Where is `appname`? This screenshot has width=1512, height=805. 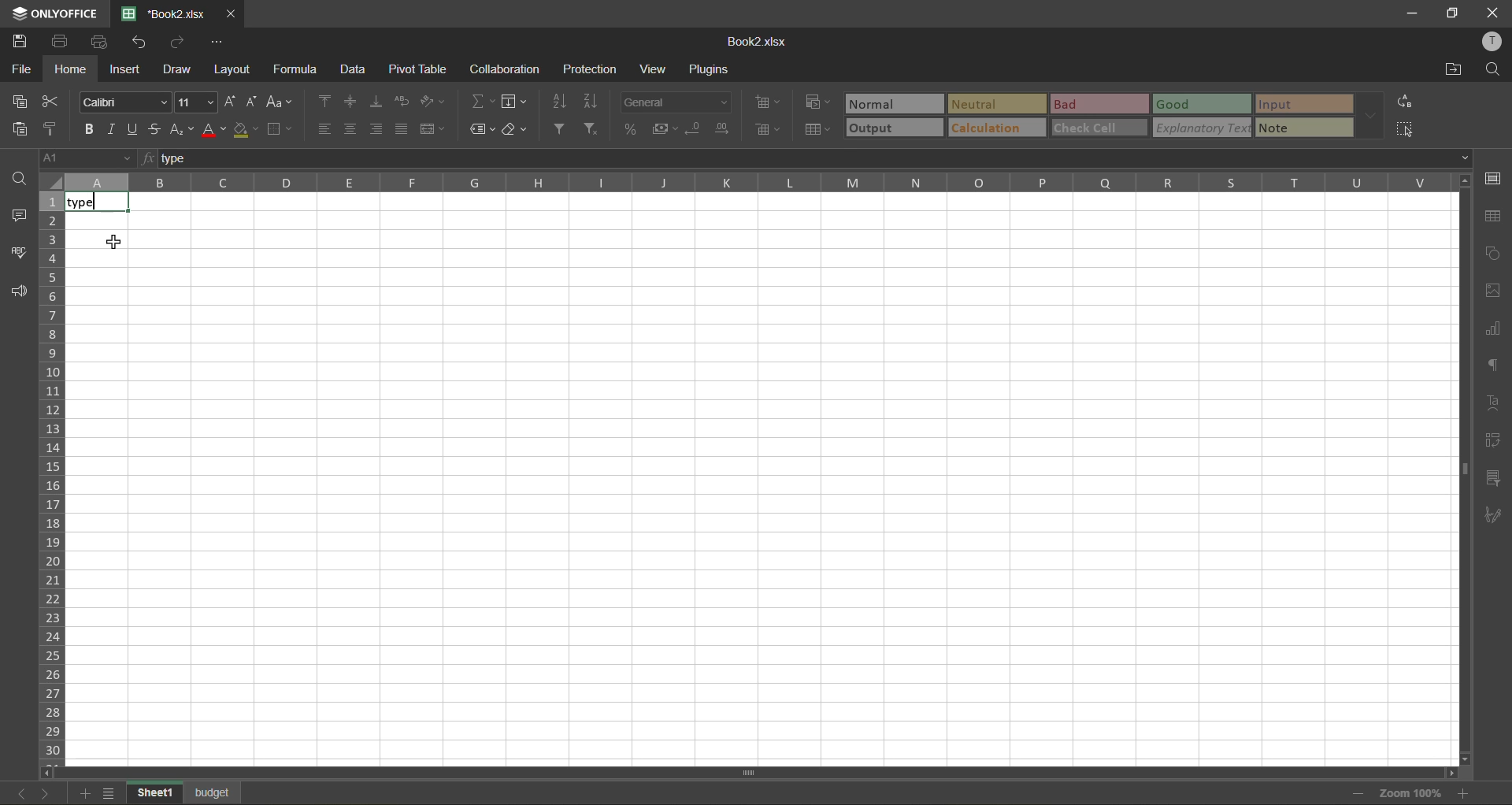
appname is located at coordinates (53, 14).